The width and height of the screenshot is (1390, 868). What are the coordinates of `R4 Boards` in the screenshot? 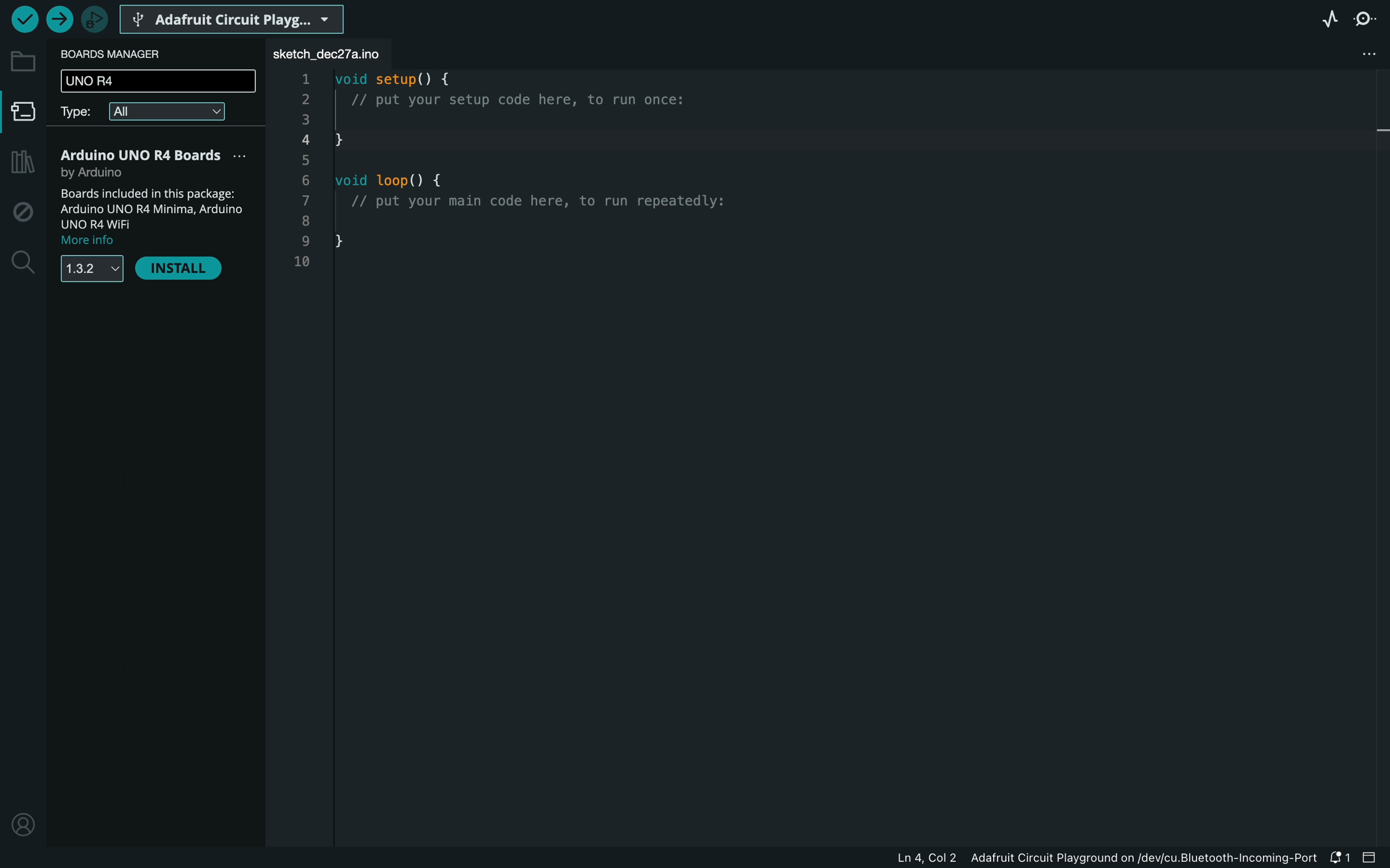 It's located at (157, 166).